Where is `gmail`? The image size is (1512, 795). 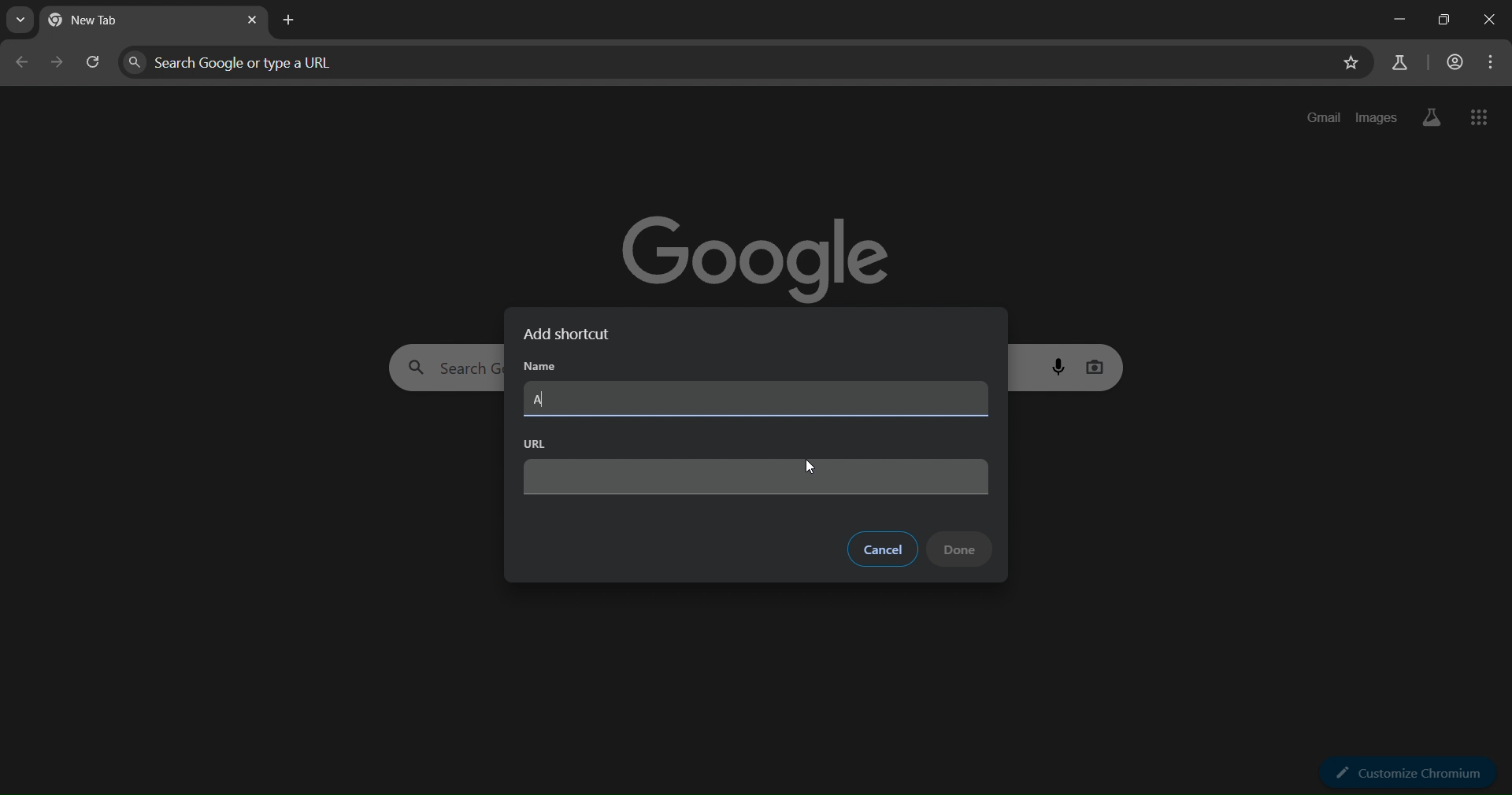 gmail is located at coordinates (1325, 117).